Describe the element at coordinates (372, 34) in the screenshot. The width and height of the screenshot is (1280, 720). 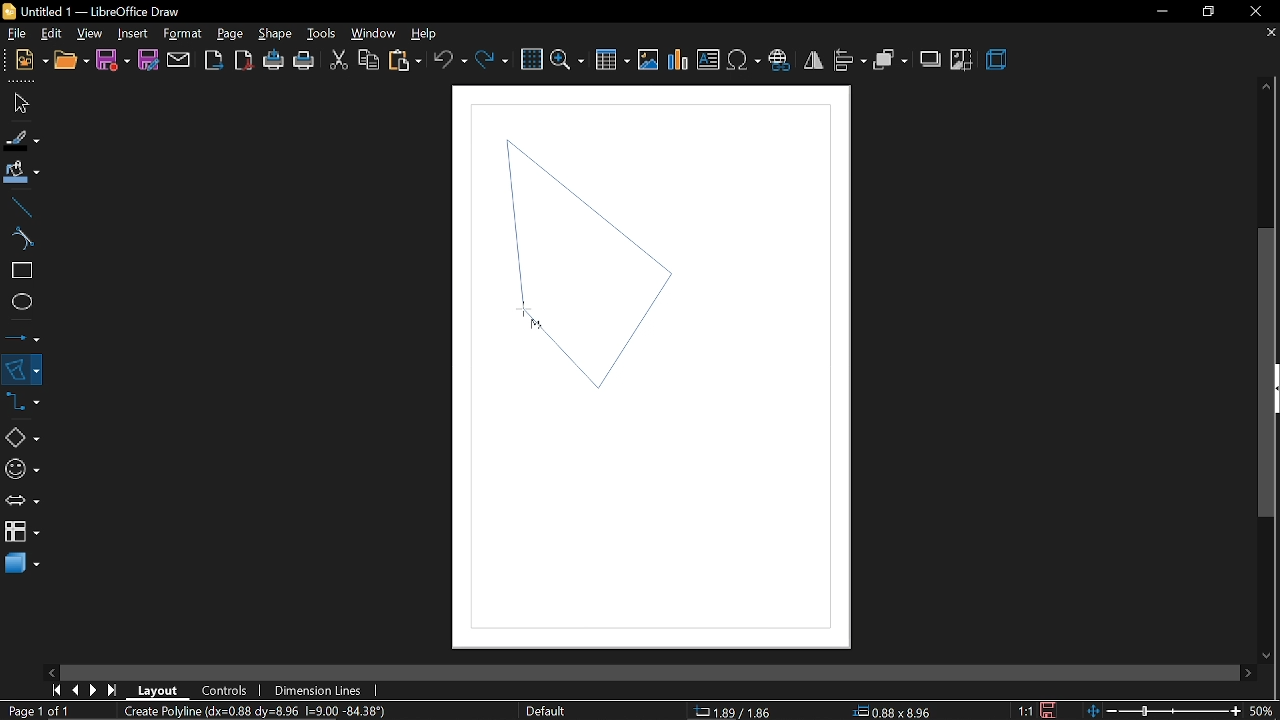
I see `window` at that location.